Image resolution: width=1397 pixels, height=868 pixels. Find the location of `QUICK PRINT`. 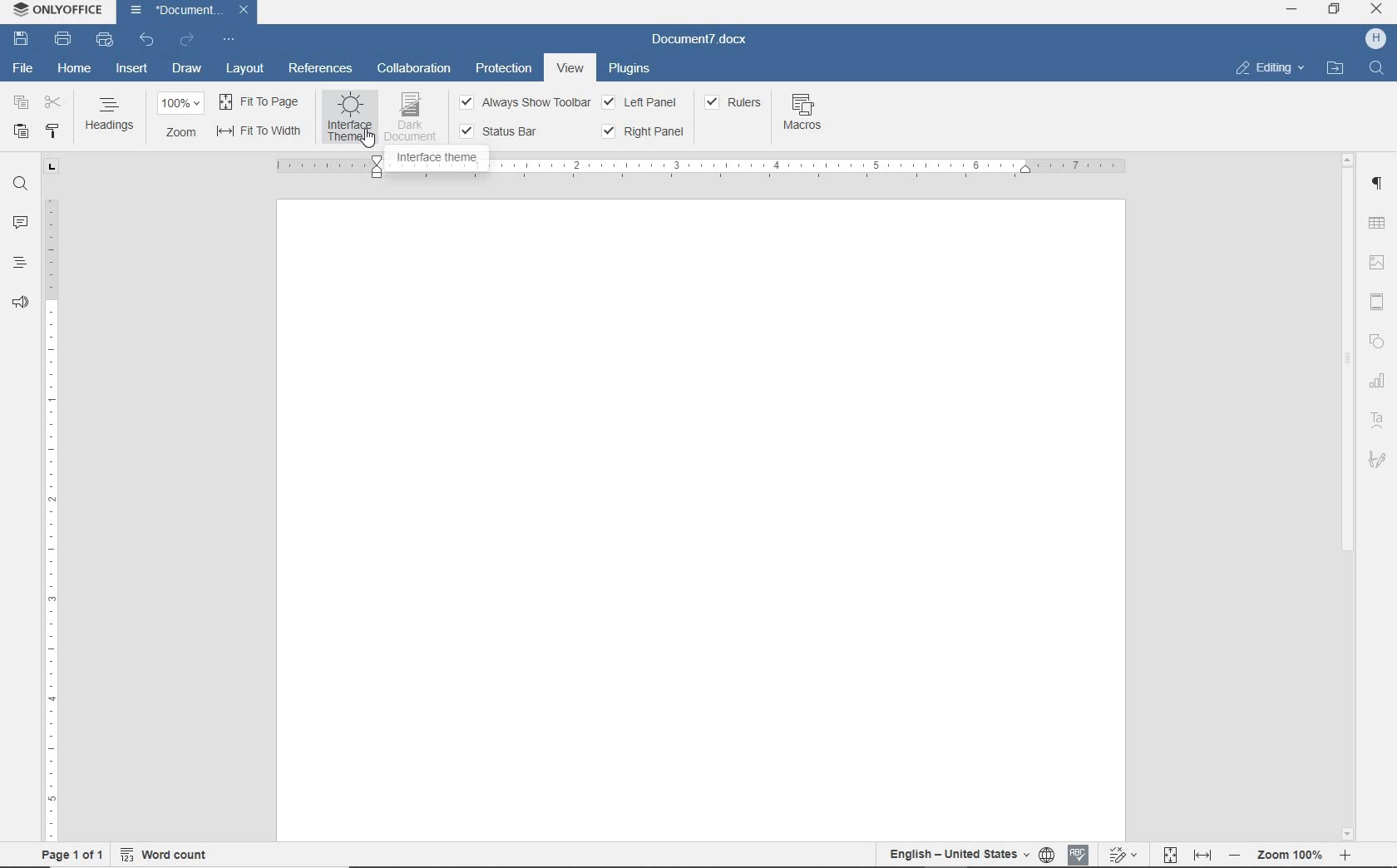

QUICK PRINT is located at coordinates (103, 38).